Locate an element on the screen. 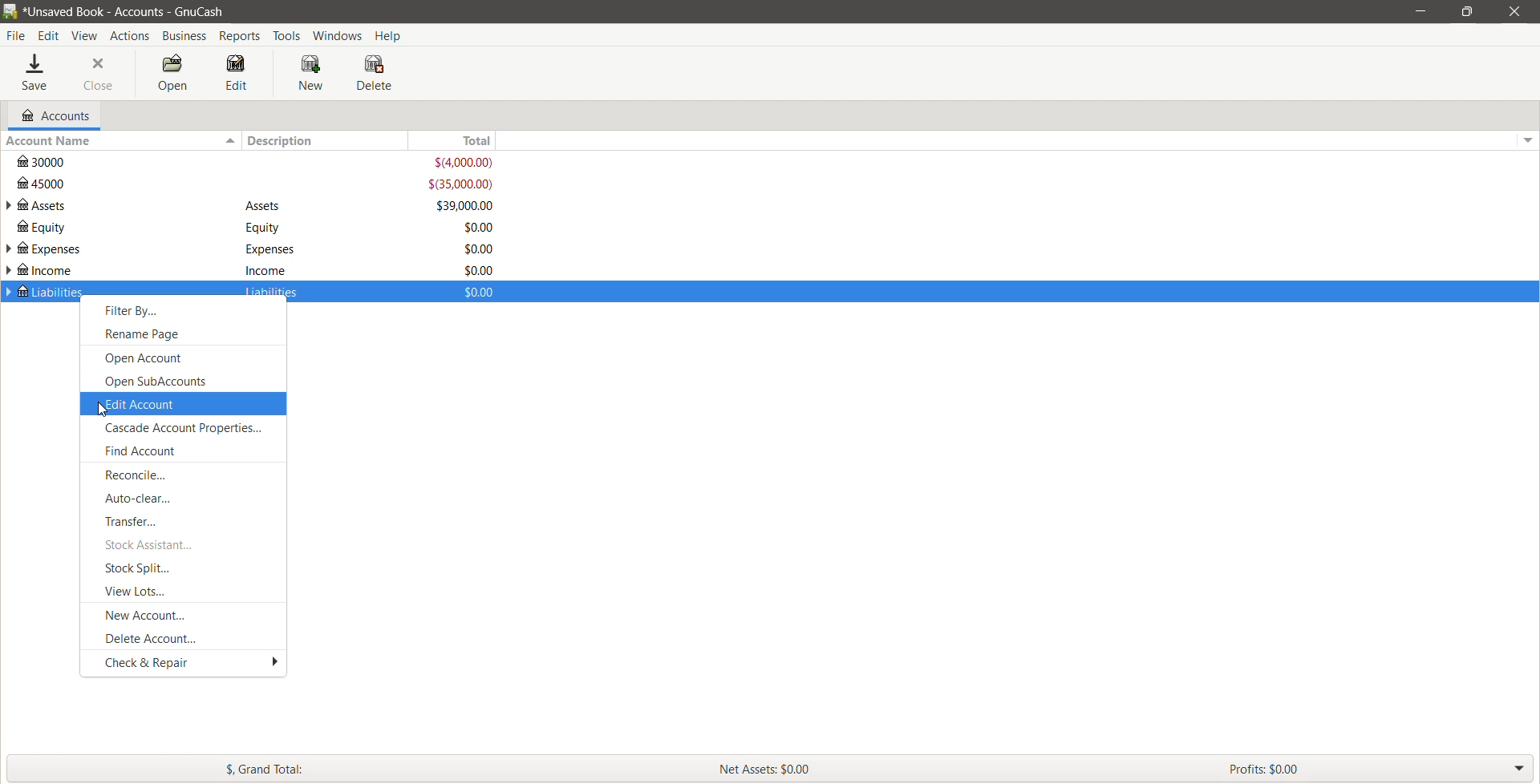  Windows is located at coordinates (338, 34).